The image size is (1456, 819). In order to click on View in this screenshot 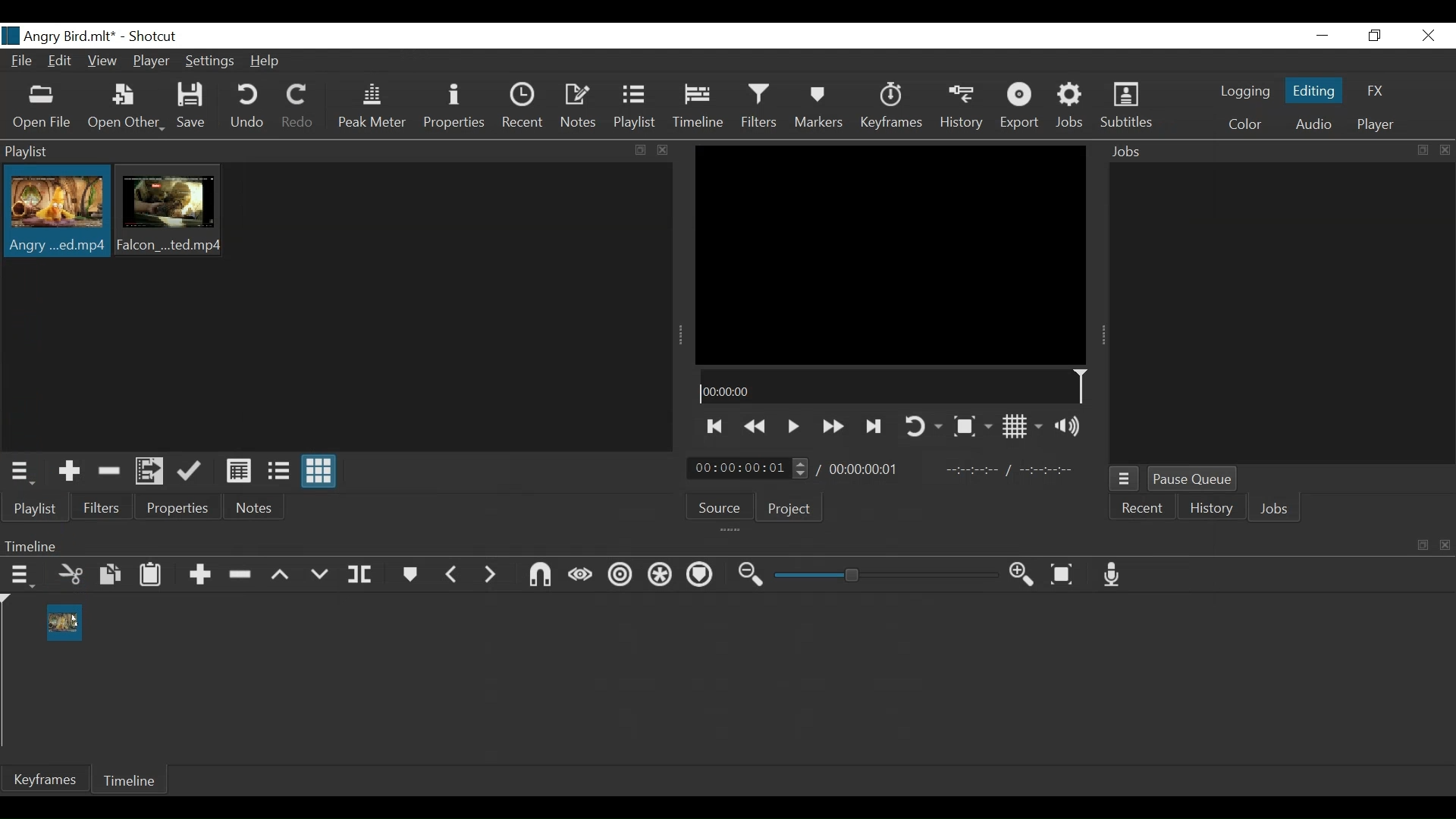, I will do `click(102, 63)`.